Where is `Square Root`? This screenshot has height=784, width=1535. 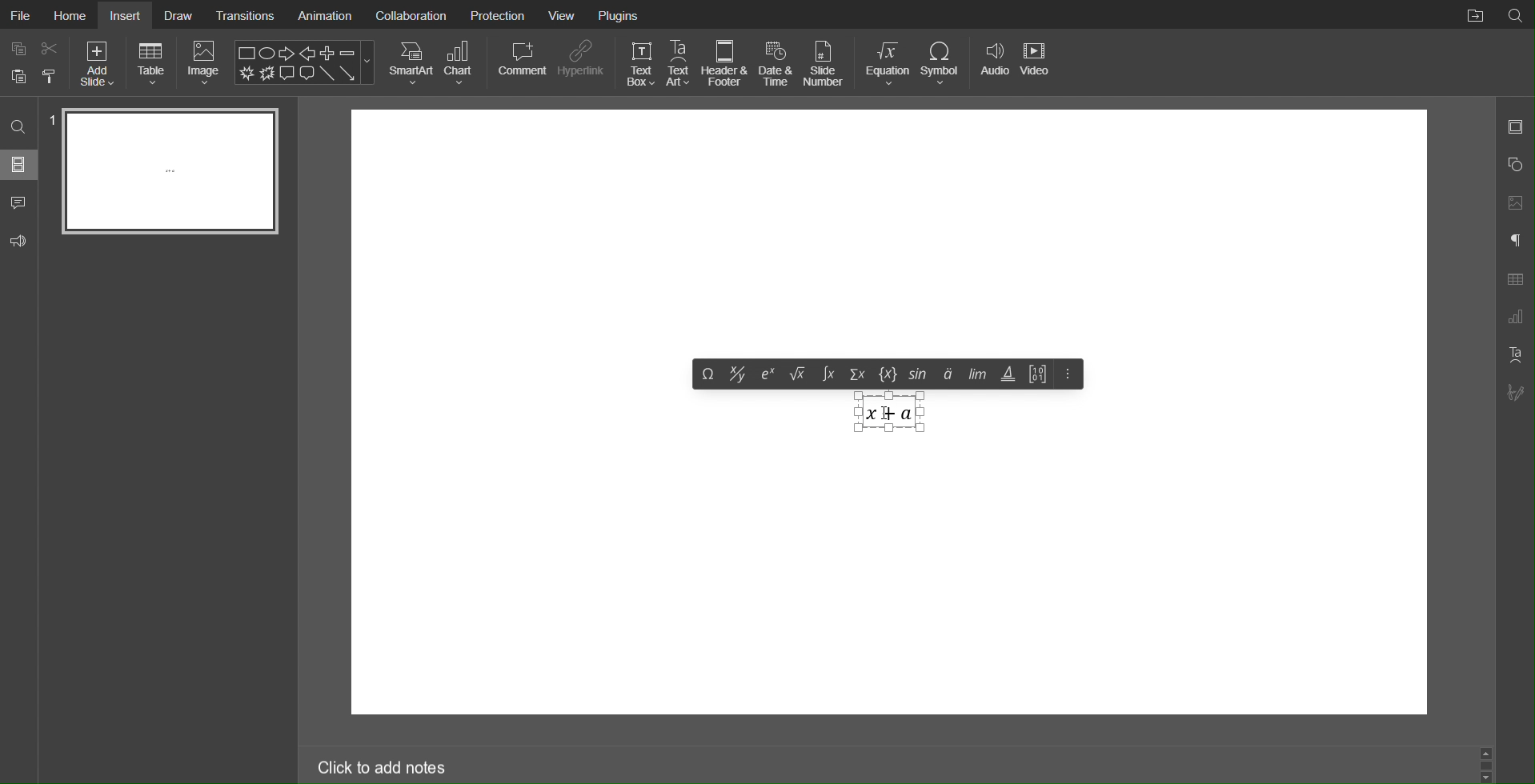
Square Root is located at coordinates (799, 374).